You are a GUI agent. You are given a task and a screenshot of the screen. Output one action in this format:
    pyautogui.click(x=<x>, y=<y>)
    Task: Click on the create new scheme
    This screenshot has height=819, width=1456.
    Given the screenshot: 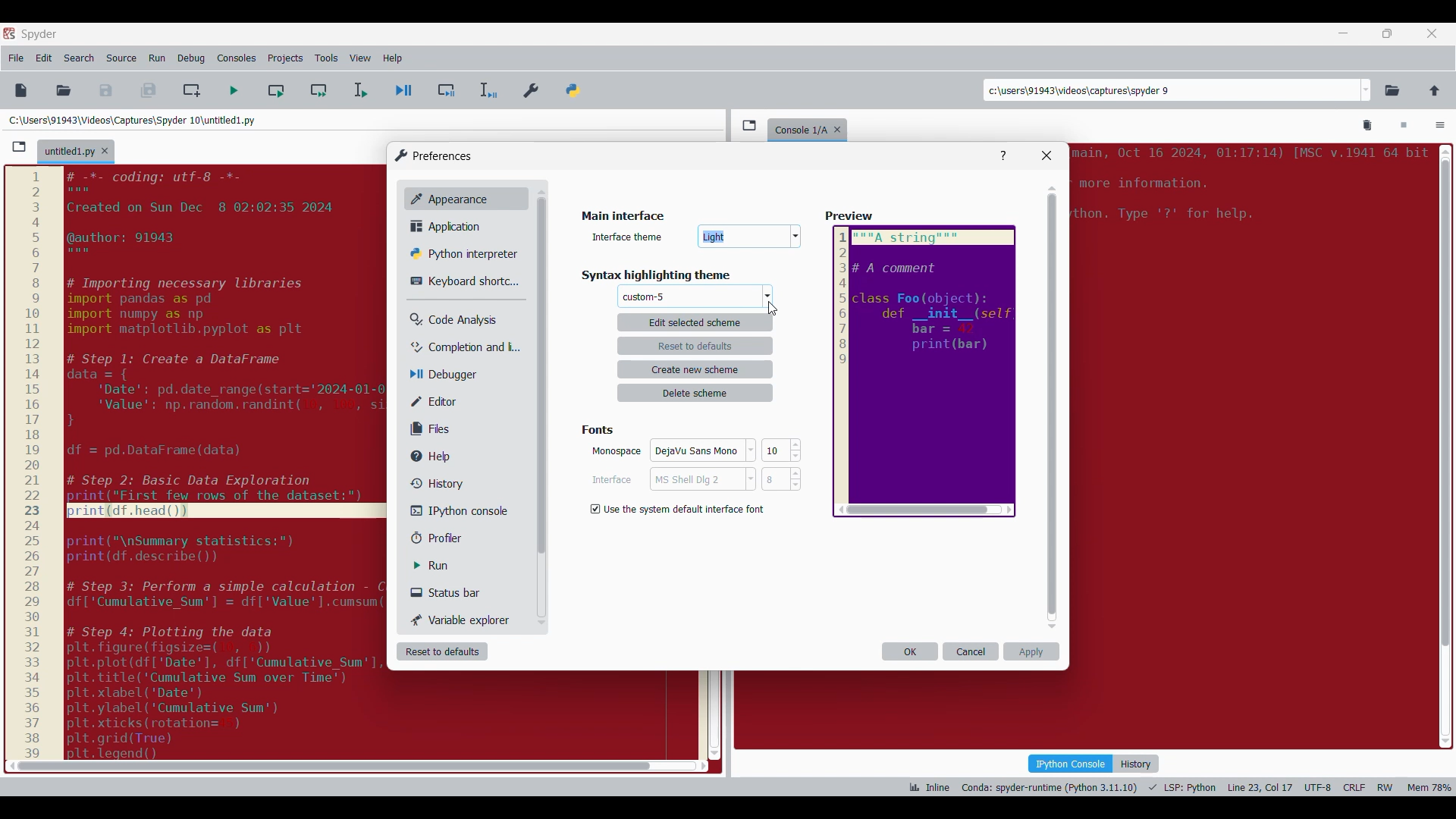 What is the action you would take?
    pyautogui.click(x=697, y=369)
    